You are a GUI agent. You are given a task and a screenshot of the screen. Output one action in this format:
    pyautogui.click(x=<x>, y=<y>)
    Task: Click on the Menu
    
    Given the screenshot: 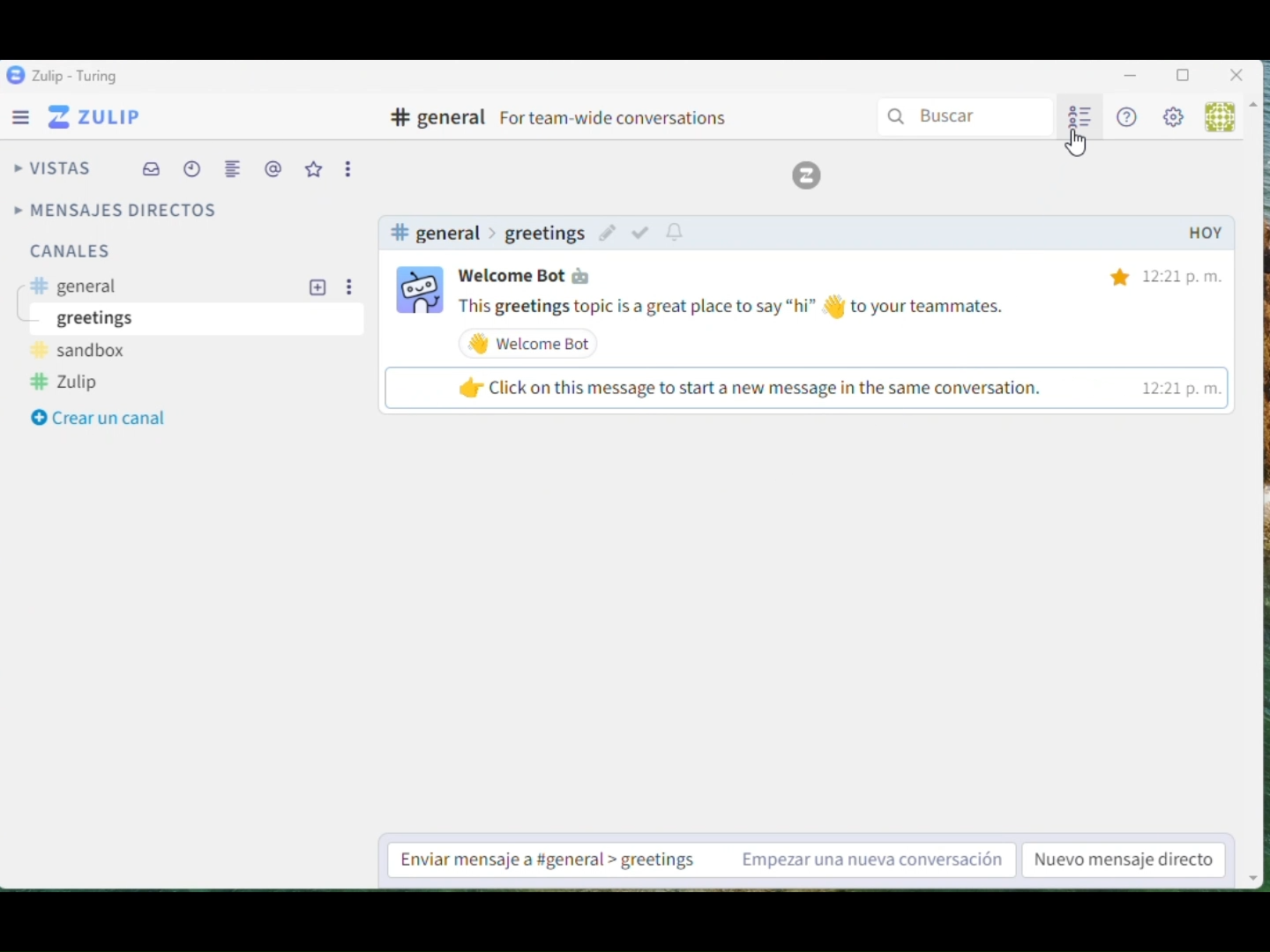 What is the action you would take?
    pyautogui.click(x=25, y=121)
    